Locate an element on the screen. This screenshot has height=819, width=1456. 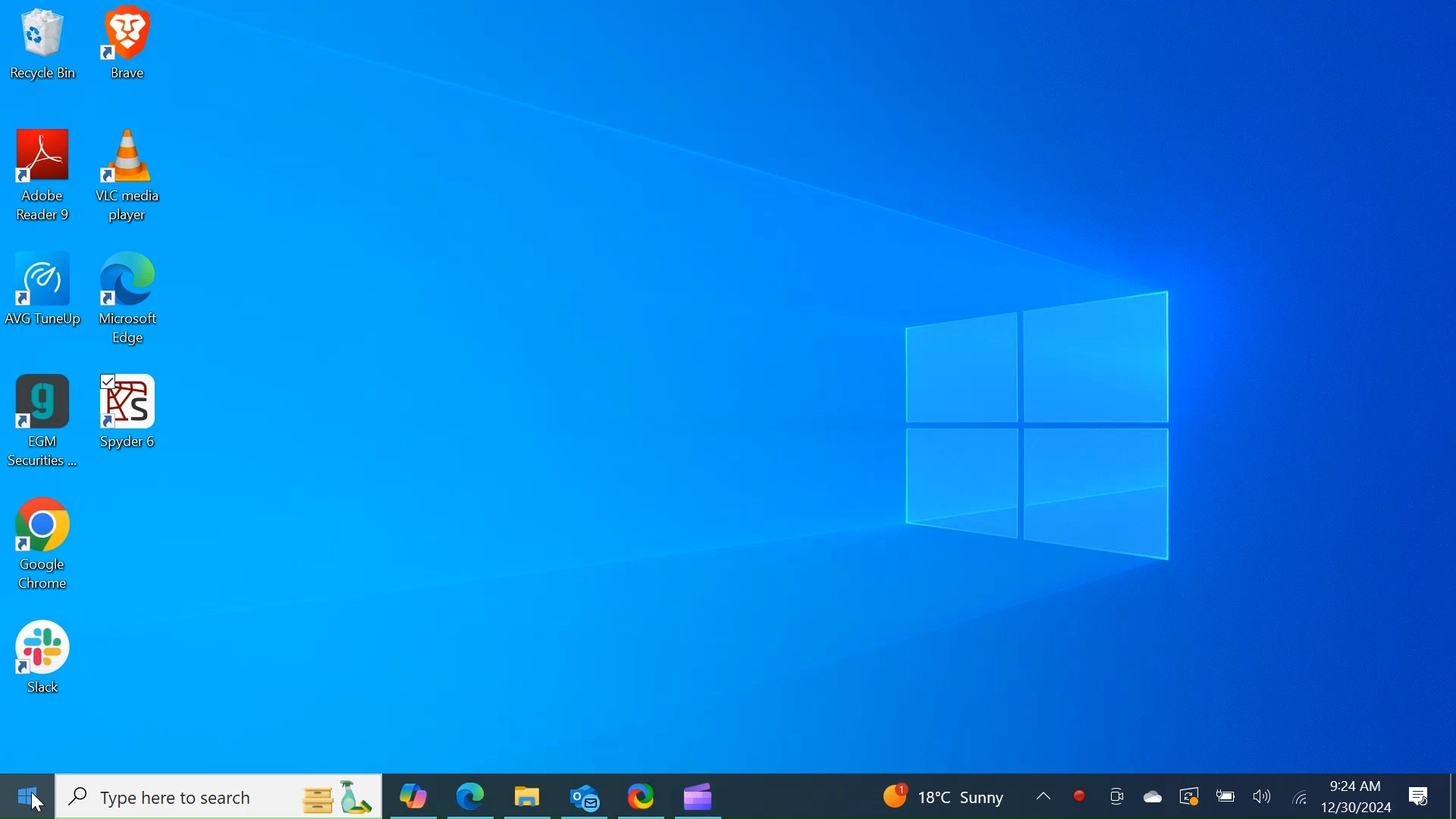
EGM Securities Desktop Icon is located at coordinates (45, 425).